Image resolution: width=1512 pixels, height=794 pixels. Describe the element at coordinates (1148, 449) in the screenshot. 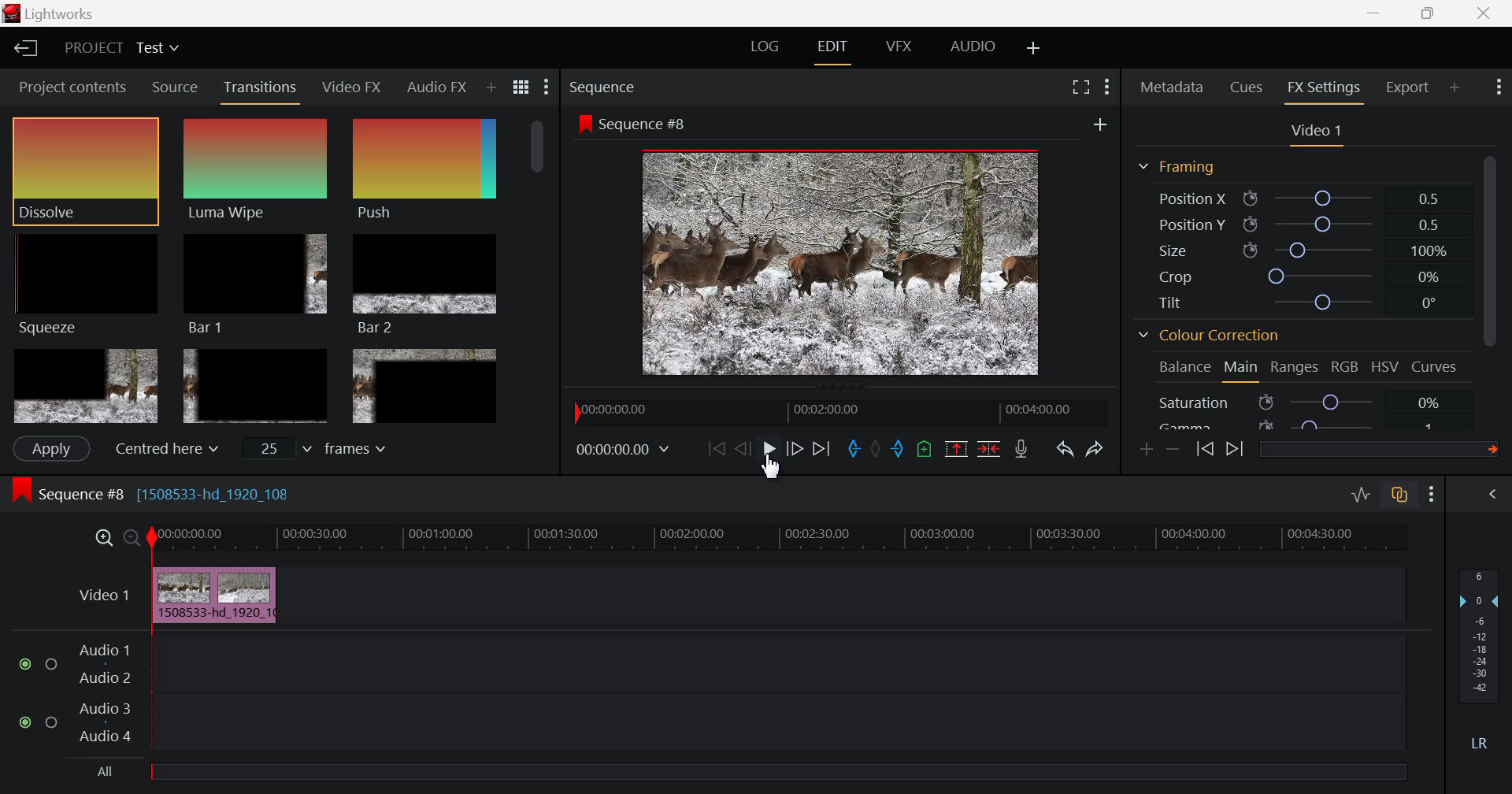

I see `Add keyframe` at that location.